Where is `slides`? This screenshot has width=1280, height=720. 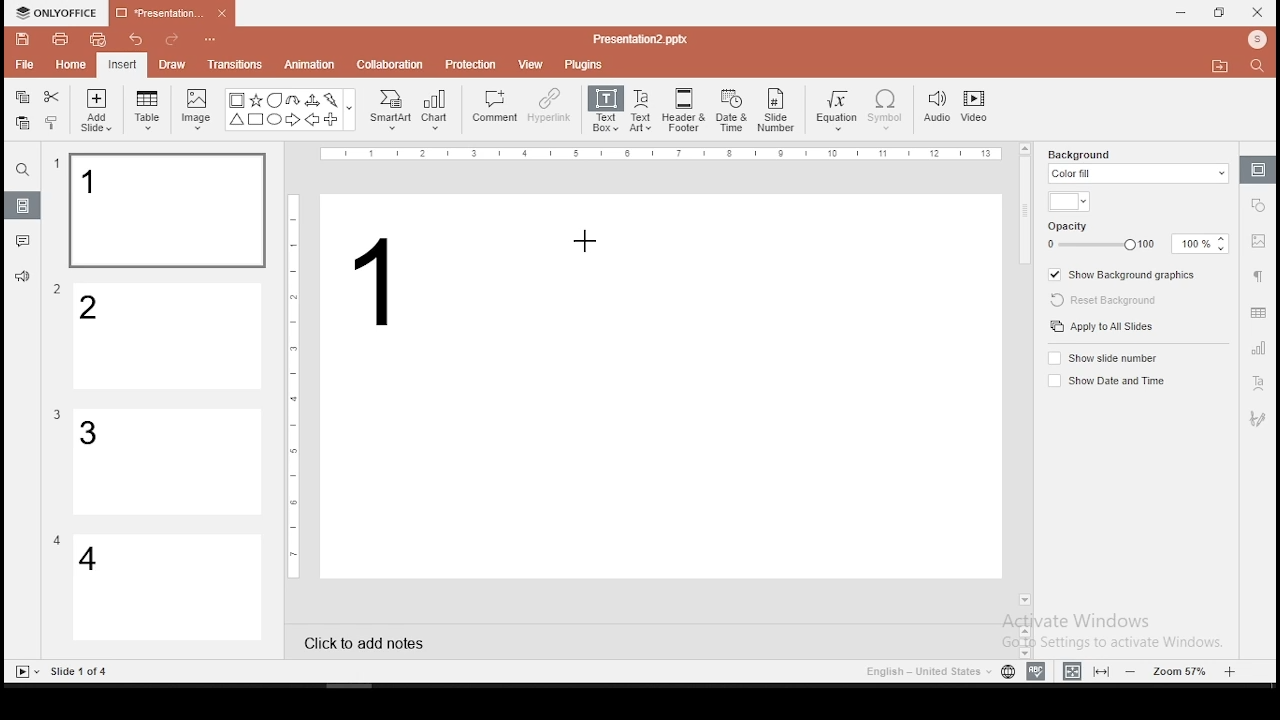 slides is located at coordinates (24, 206).